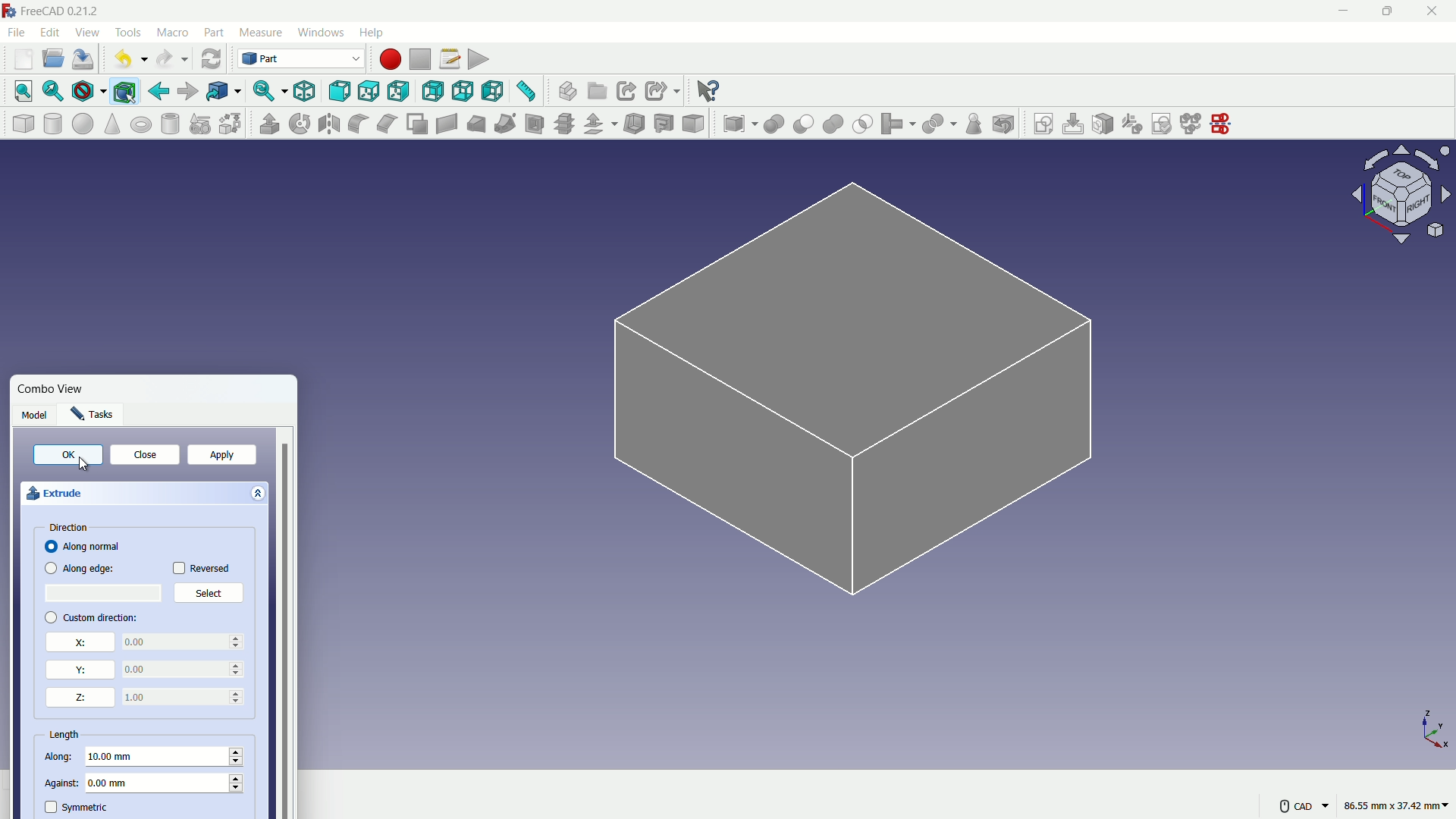 The image size is (1456, 819). I want to click on y direction, so click(78, 670).